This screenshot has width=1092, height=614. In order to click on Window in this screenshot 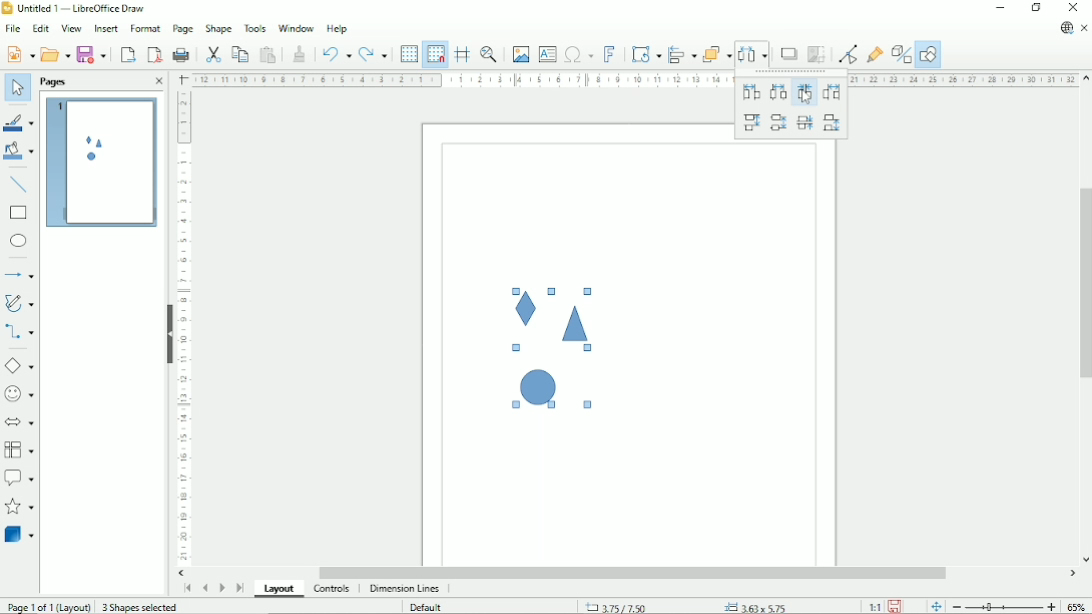, I will do `click(294, 28)`.